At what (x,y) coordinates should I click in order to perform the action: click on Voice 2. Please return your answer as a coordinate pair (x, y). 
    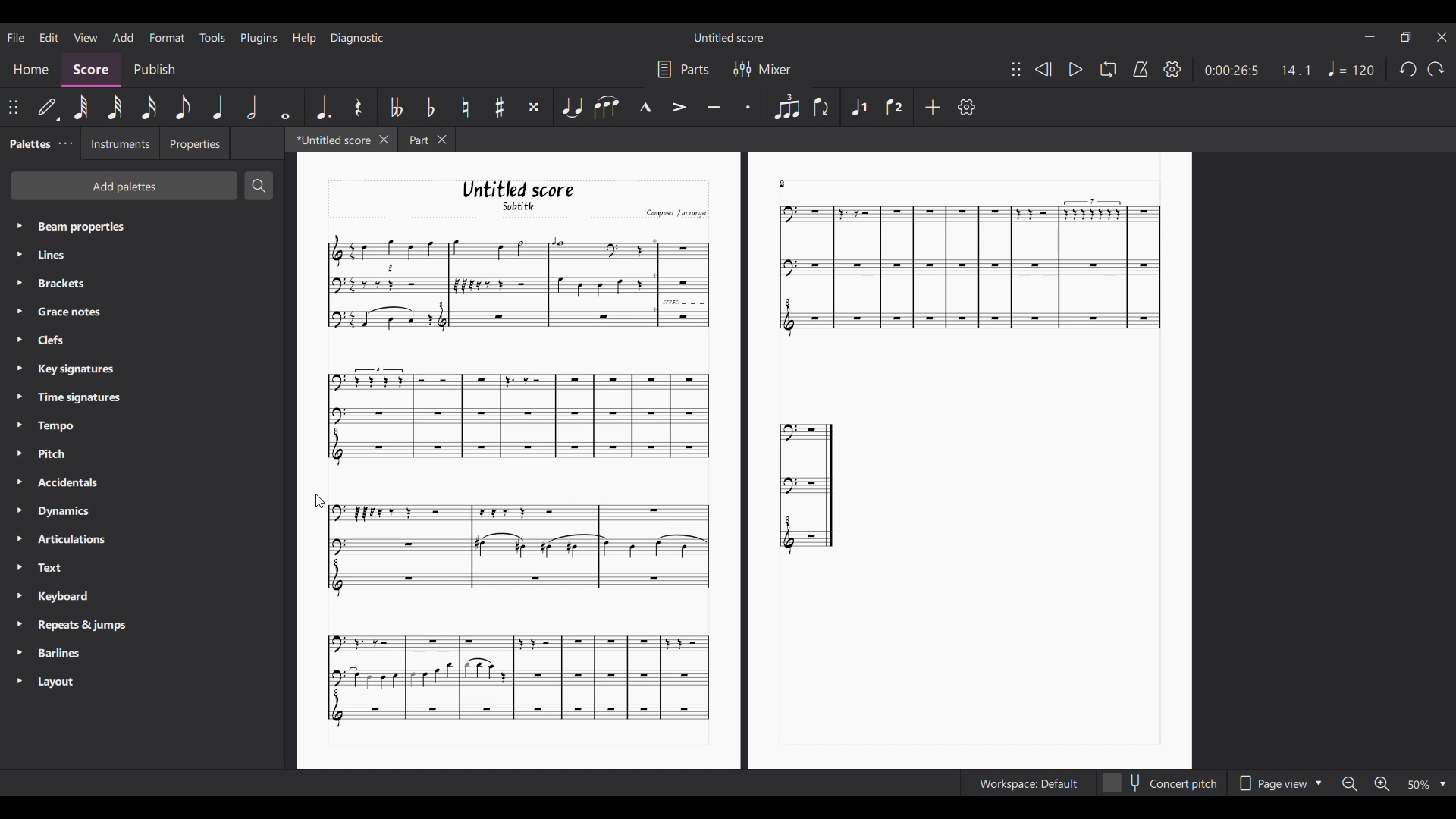
    Looking at the image, I should click on (895, 107).